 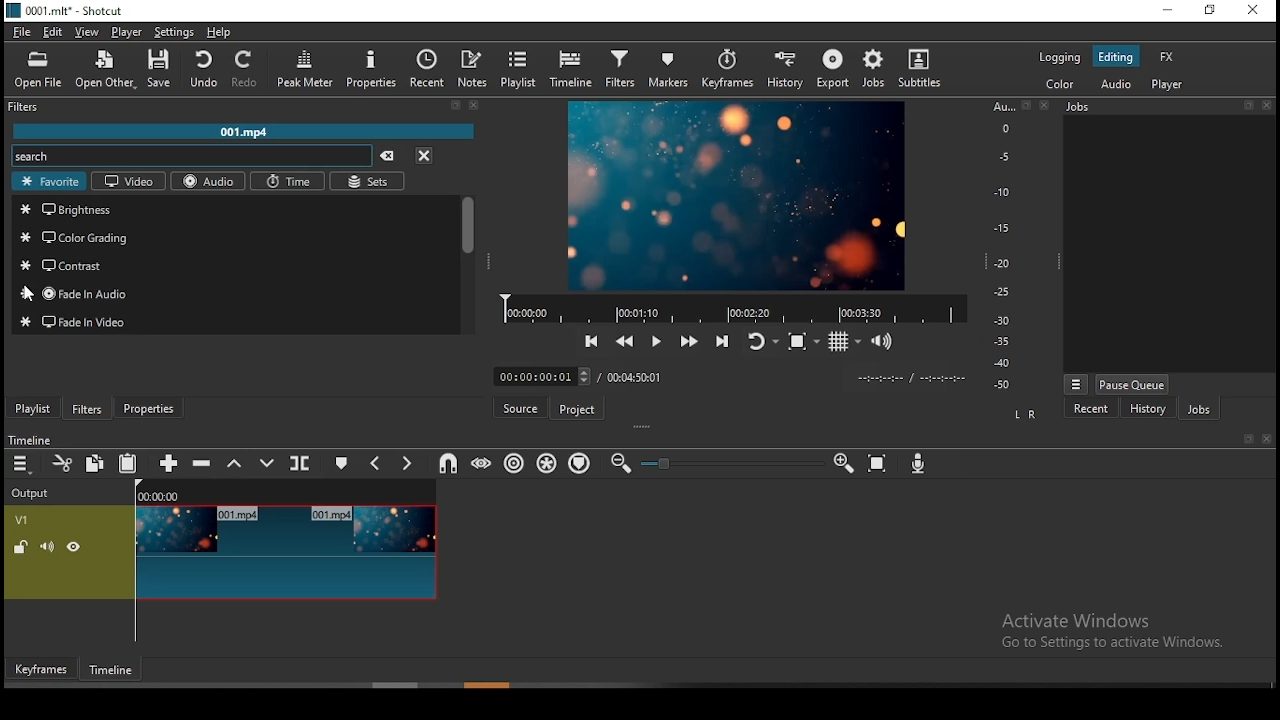 I want to click on subtitles, so click(x=920, y=69).